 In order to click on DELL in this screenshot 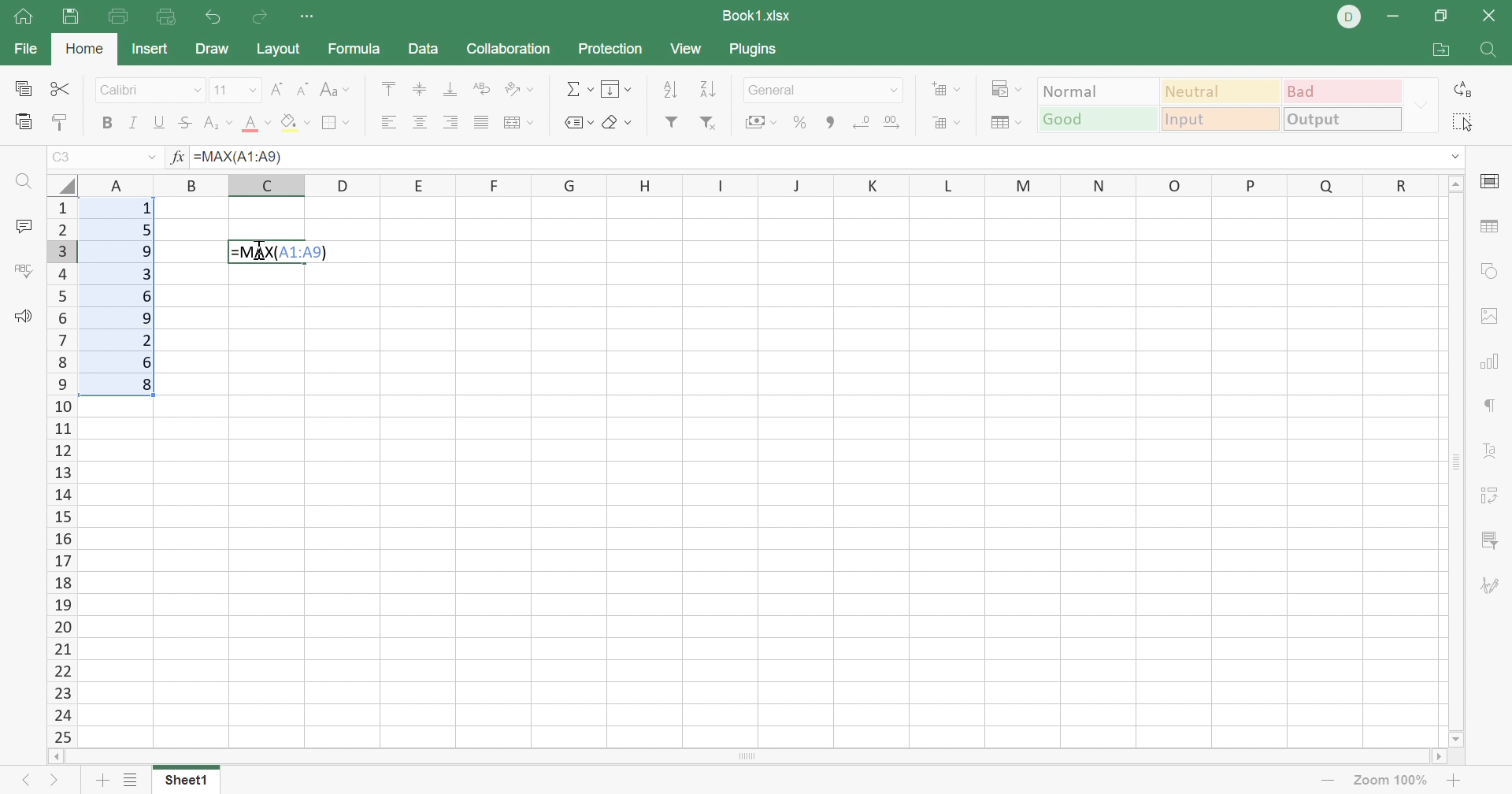, I will do `click(1350, 20)`.